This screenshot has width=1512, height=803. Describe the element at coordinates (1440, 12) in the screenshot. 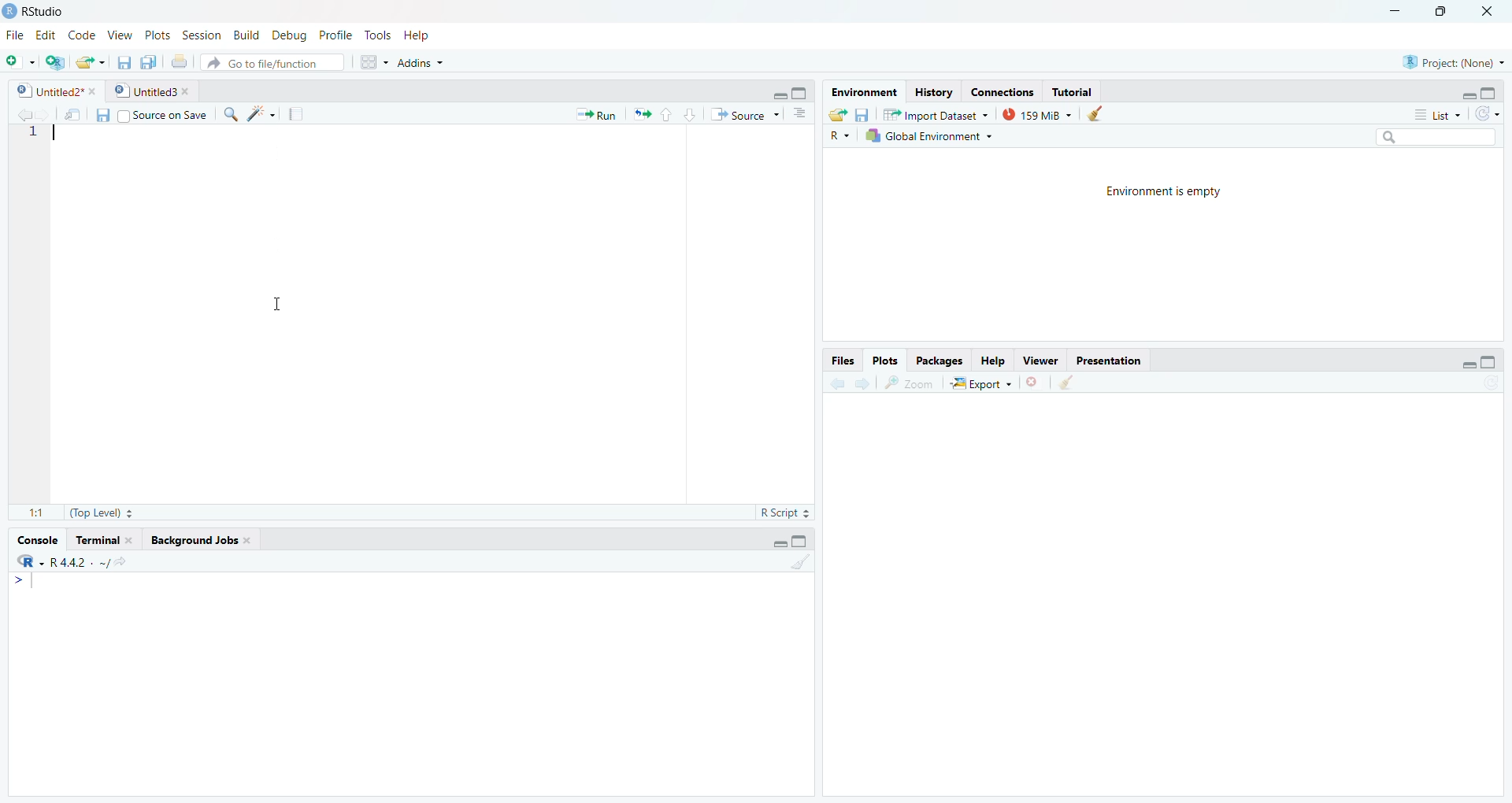

I see `Restore Down` at that location.